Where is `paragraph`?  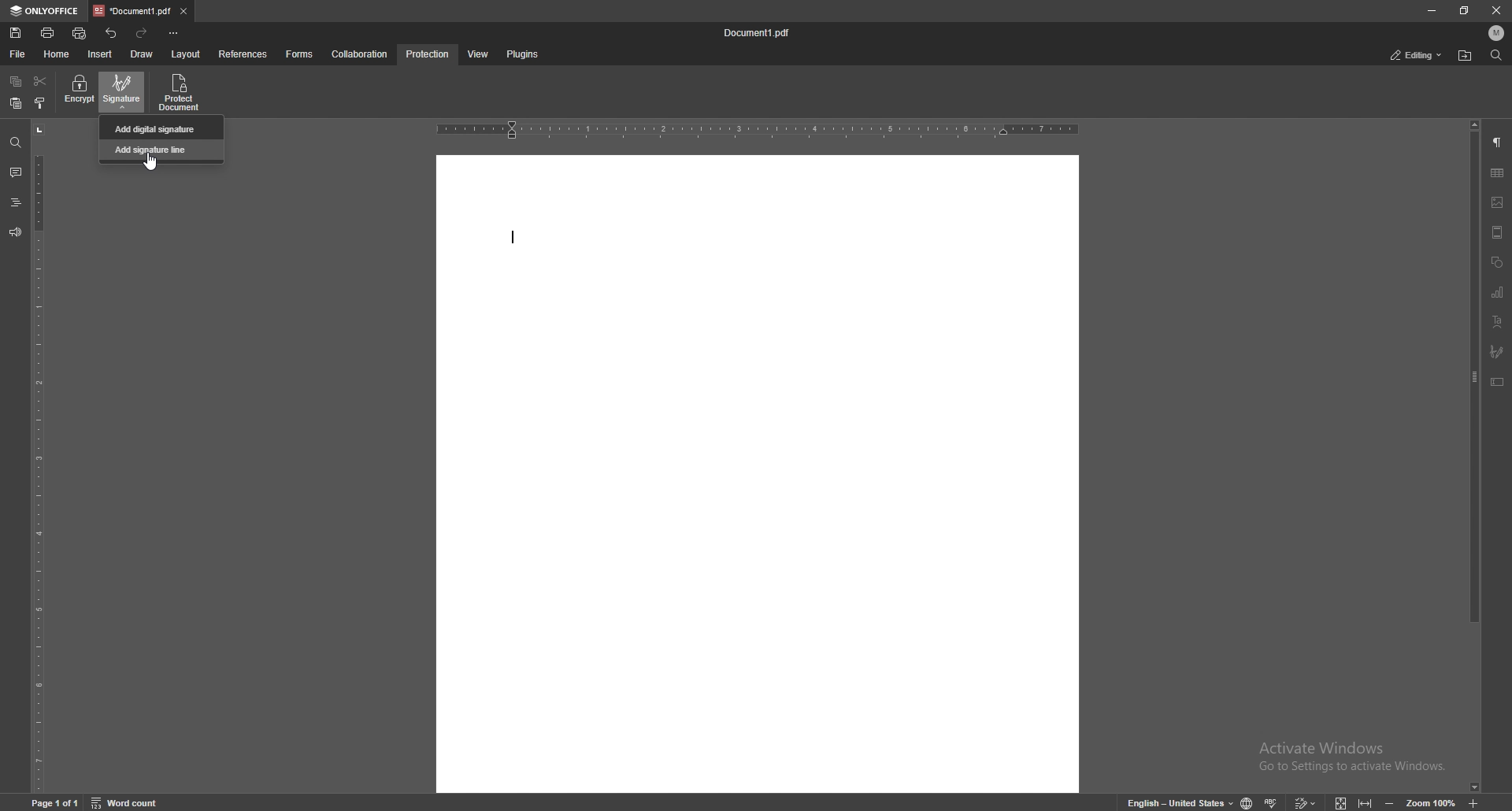 paragraph is located at coordinates (1497, 143).